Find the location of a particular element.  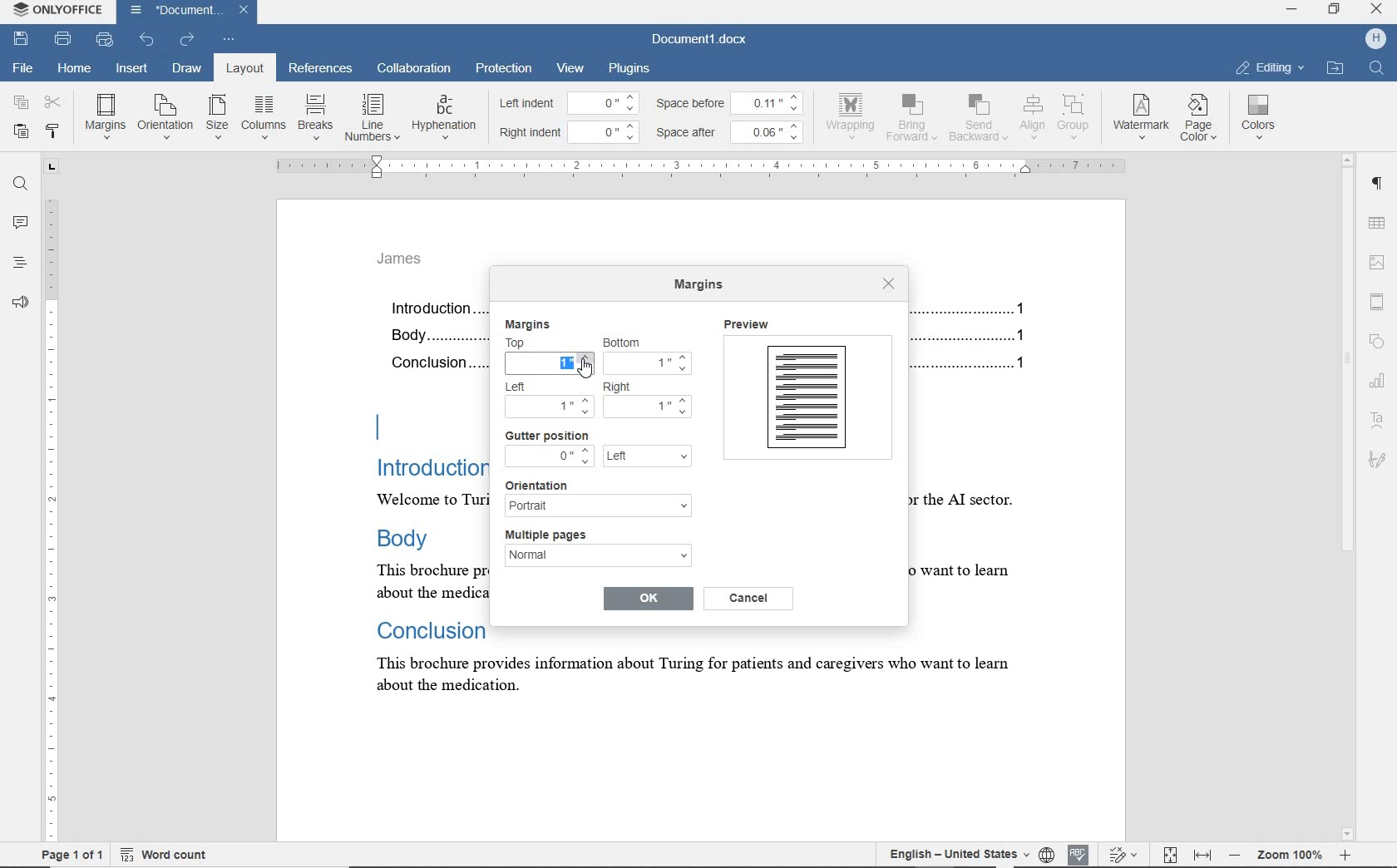

text art is located at coordinates (1377, 423).